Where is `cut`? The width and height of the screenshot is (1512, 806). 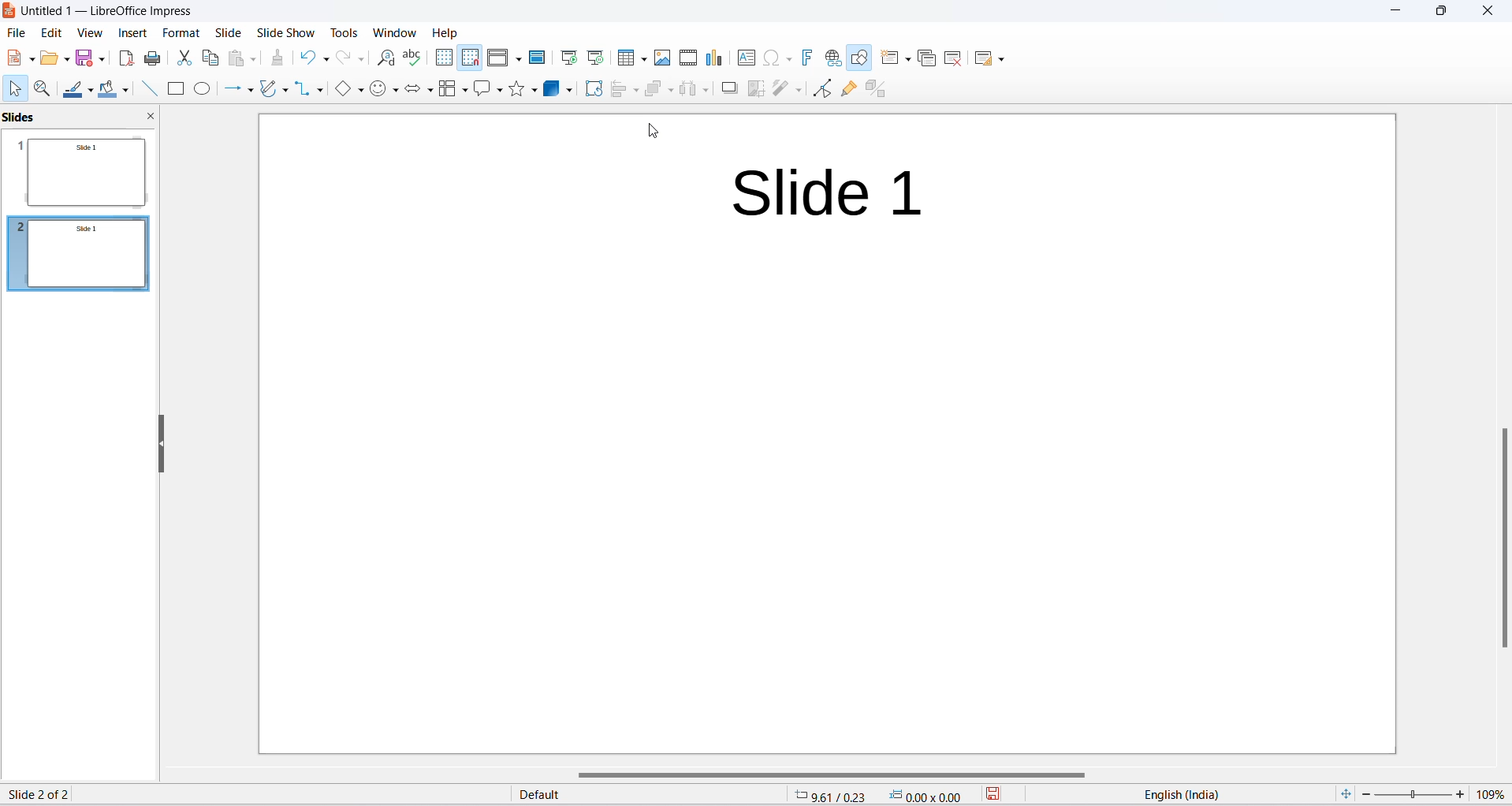 cut is located at coordinates (182, 62).